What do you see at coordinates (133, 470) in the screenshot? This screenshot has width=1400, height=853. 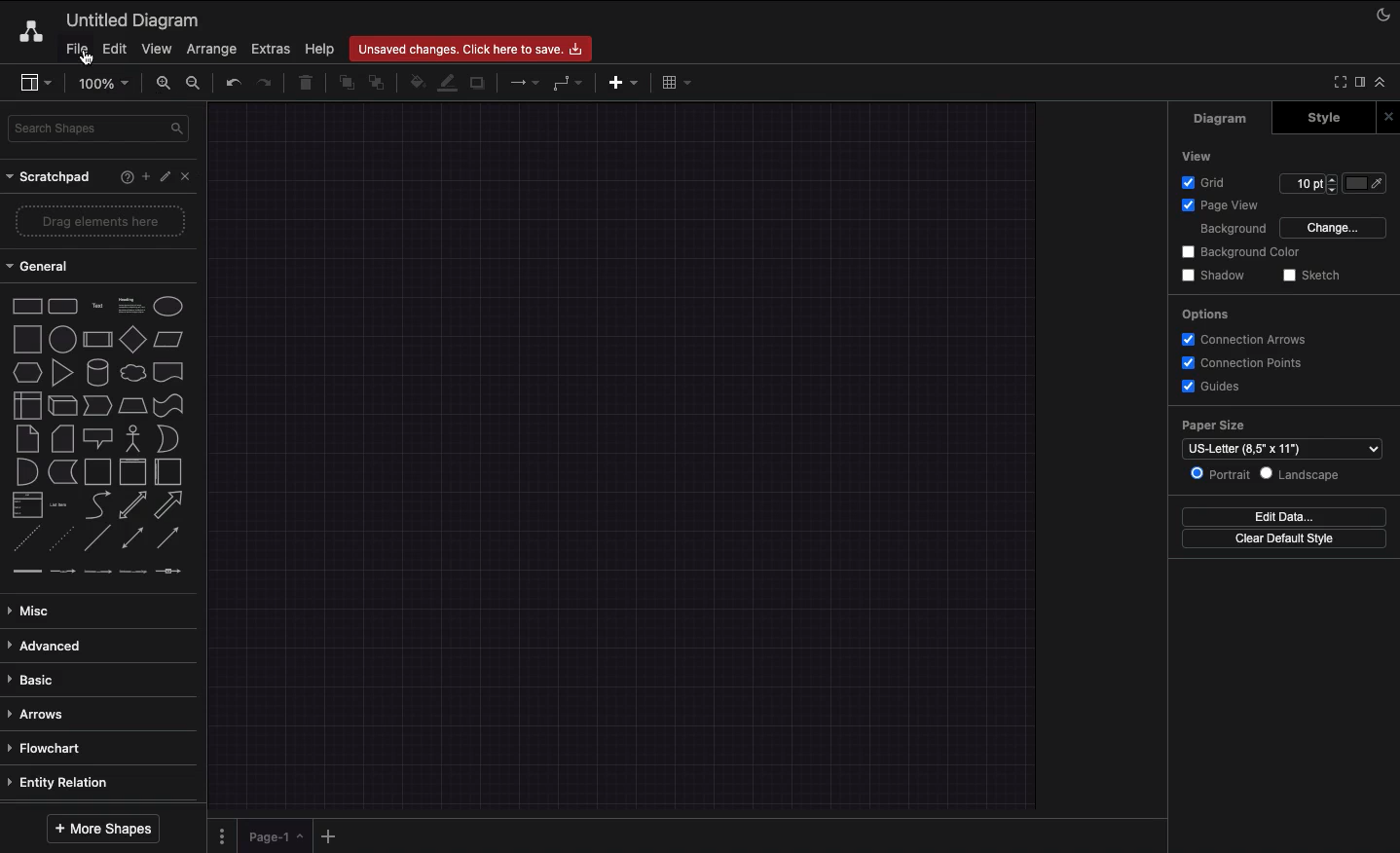 I see `Vertical container` at bounding box center [133, 470].